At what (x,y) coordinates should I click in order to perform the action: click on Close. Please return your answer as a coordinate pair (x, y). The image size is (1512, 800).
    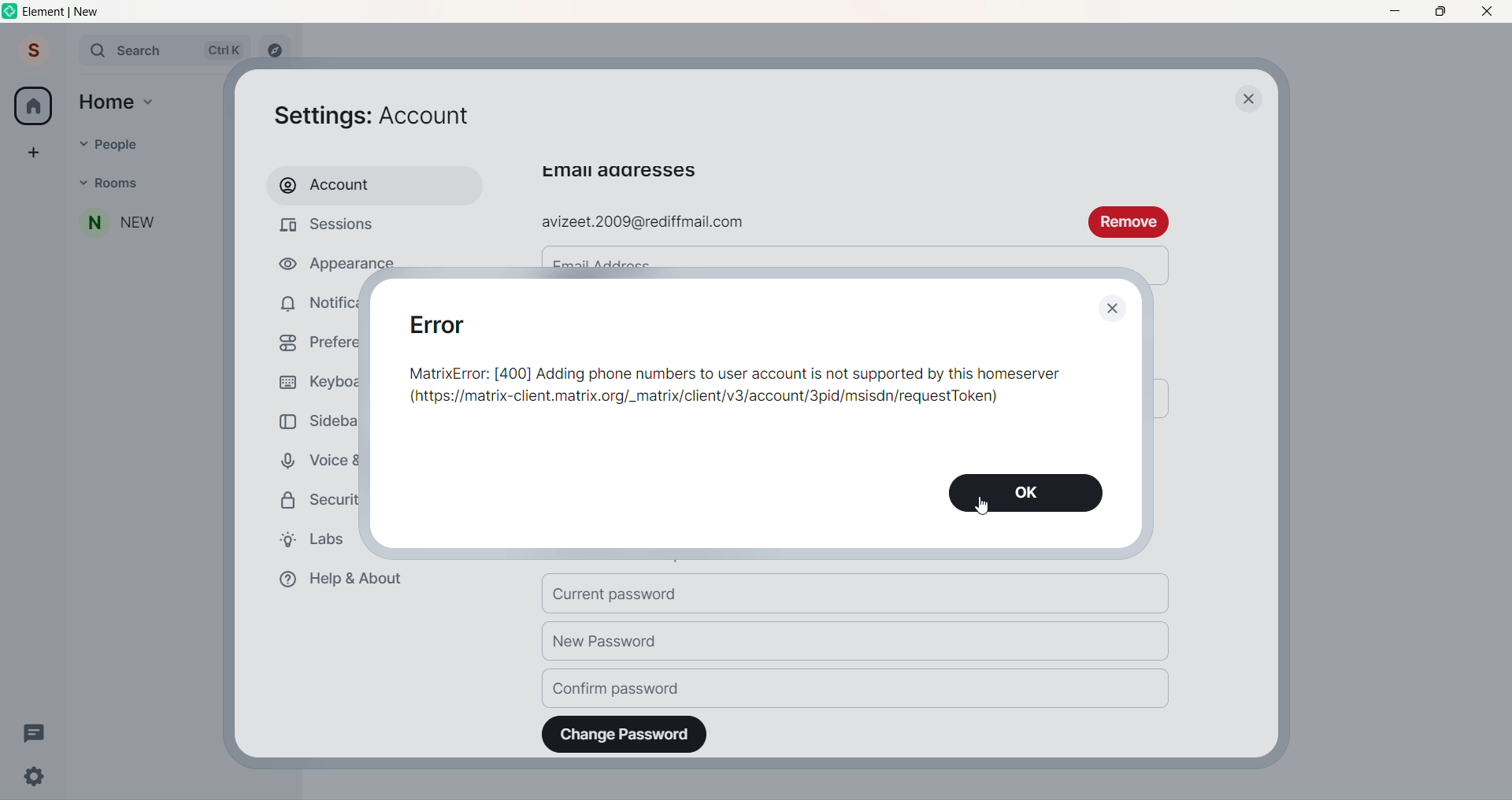
    Looking at the image, I should click on (1488, 12).